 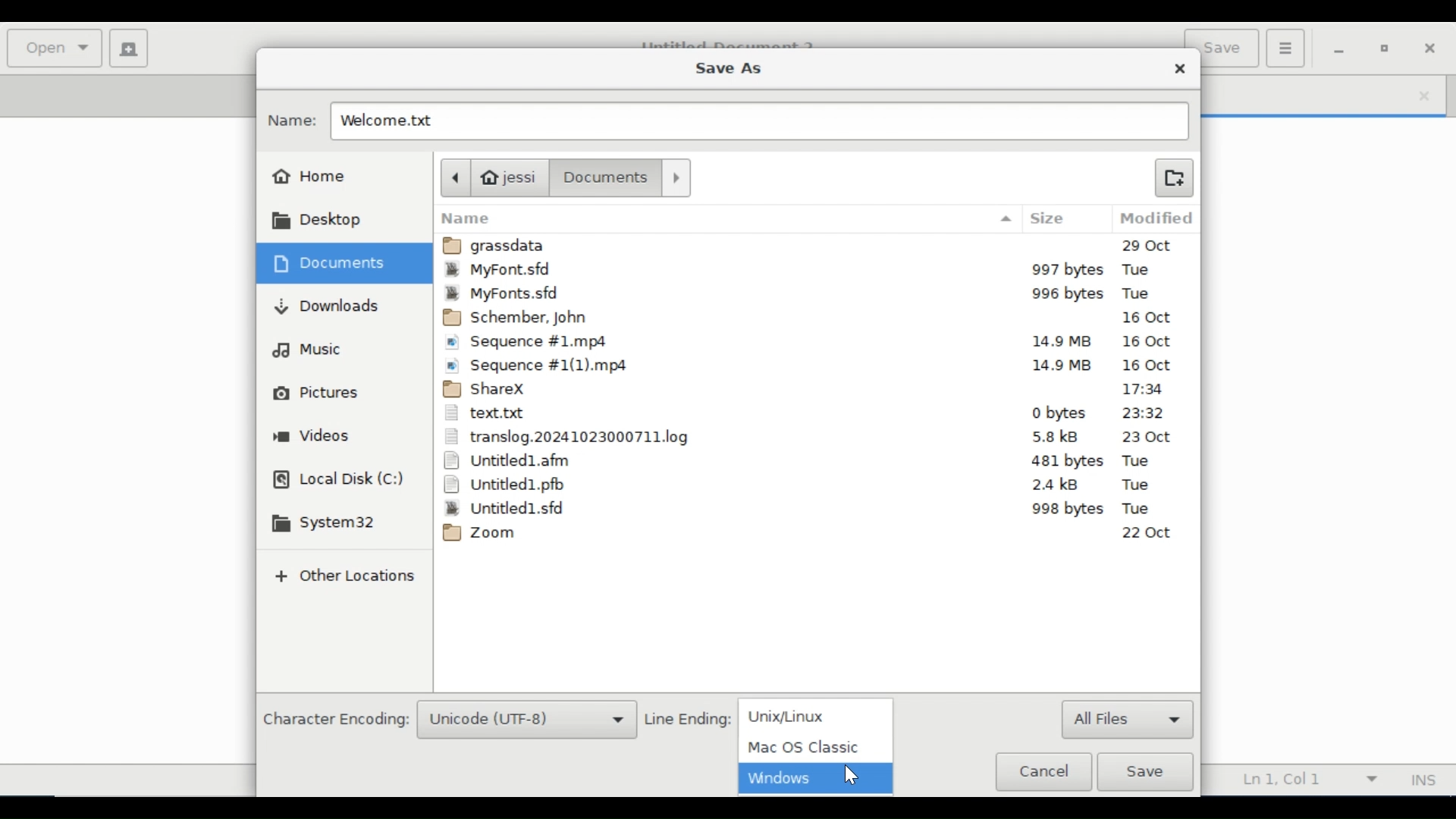 What do you see at coordinates (1423, 780) in the screenshot?
I see `Insert Mode` at bounding box center [1423, 780].